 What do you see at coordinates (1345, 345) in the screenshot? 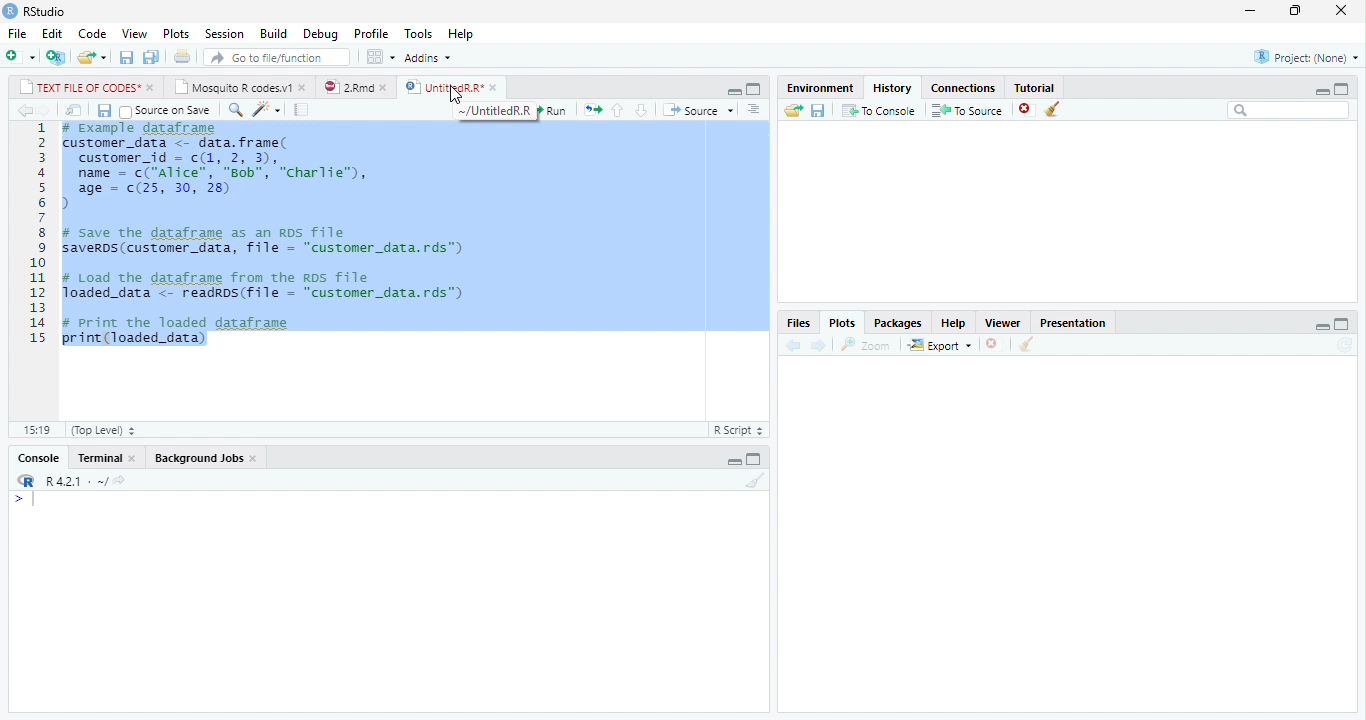
I see `refresh` at bounding box center [1345, 345].